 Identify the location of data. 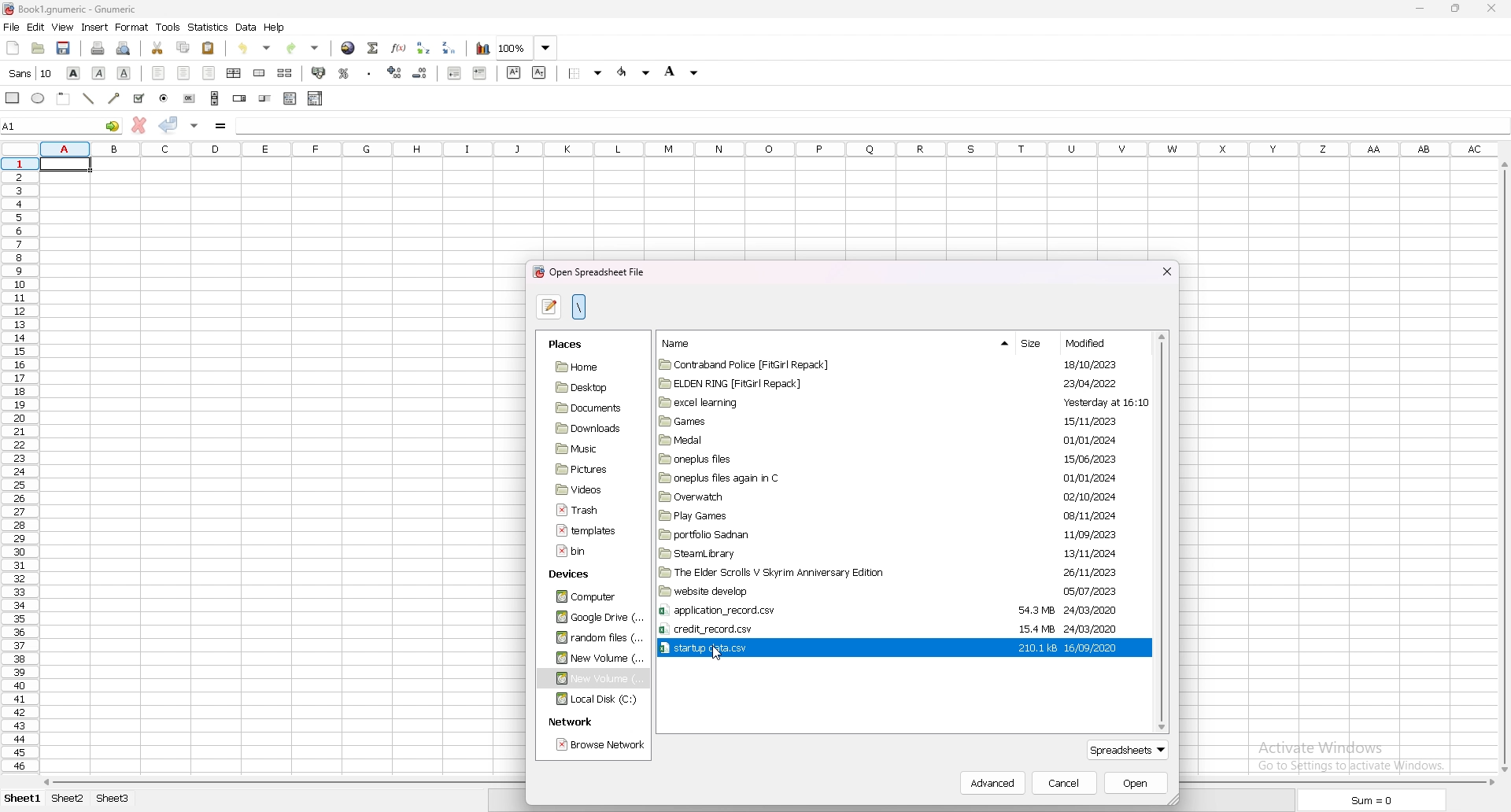
(247, 27).